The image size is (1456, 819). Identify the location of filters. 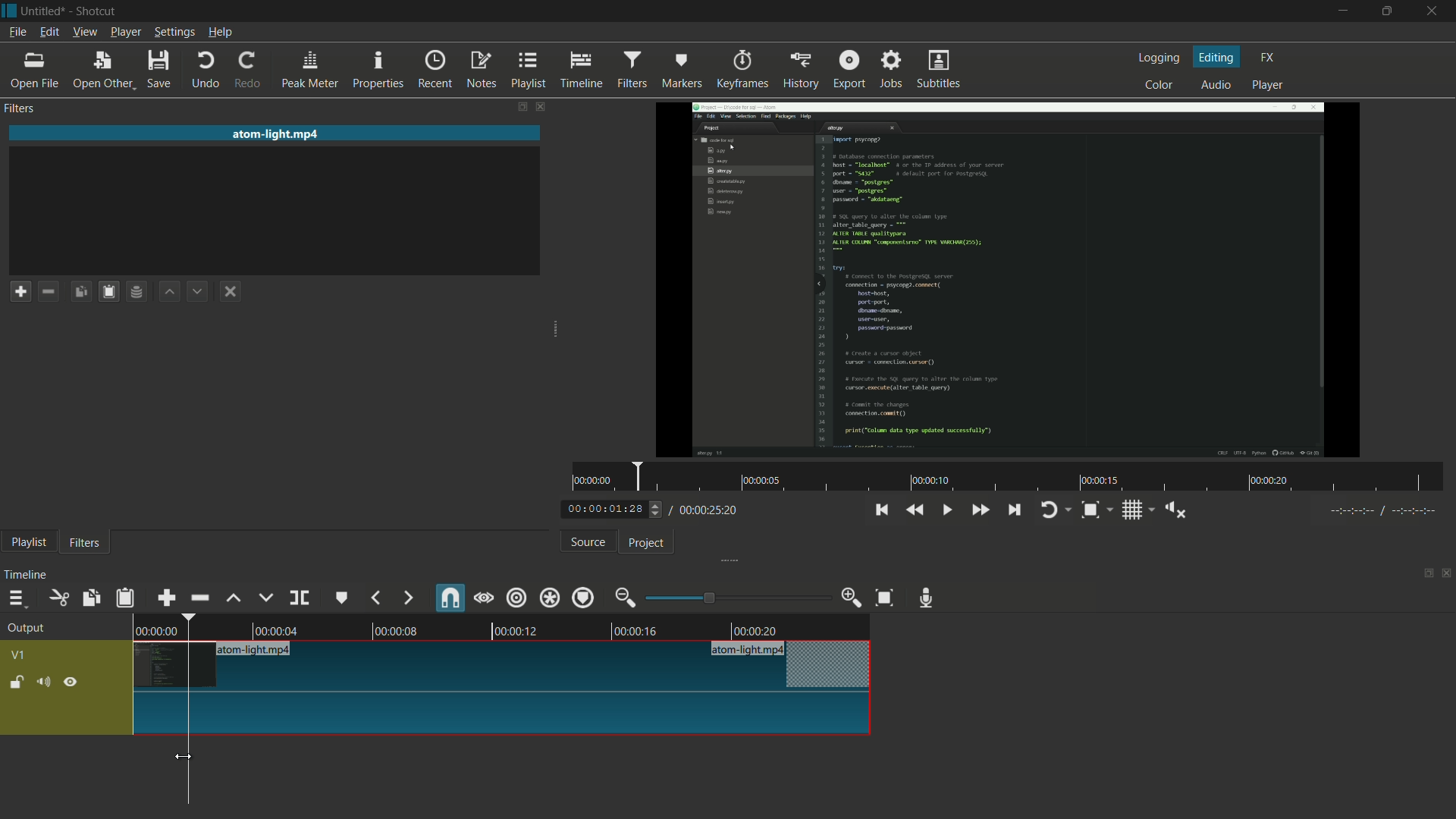
(635, 70).